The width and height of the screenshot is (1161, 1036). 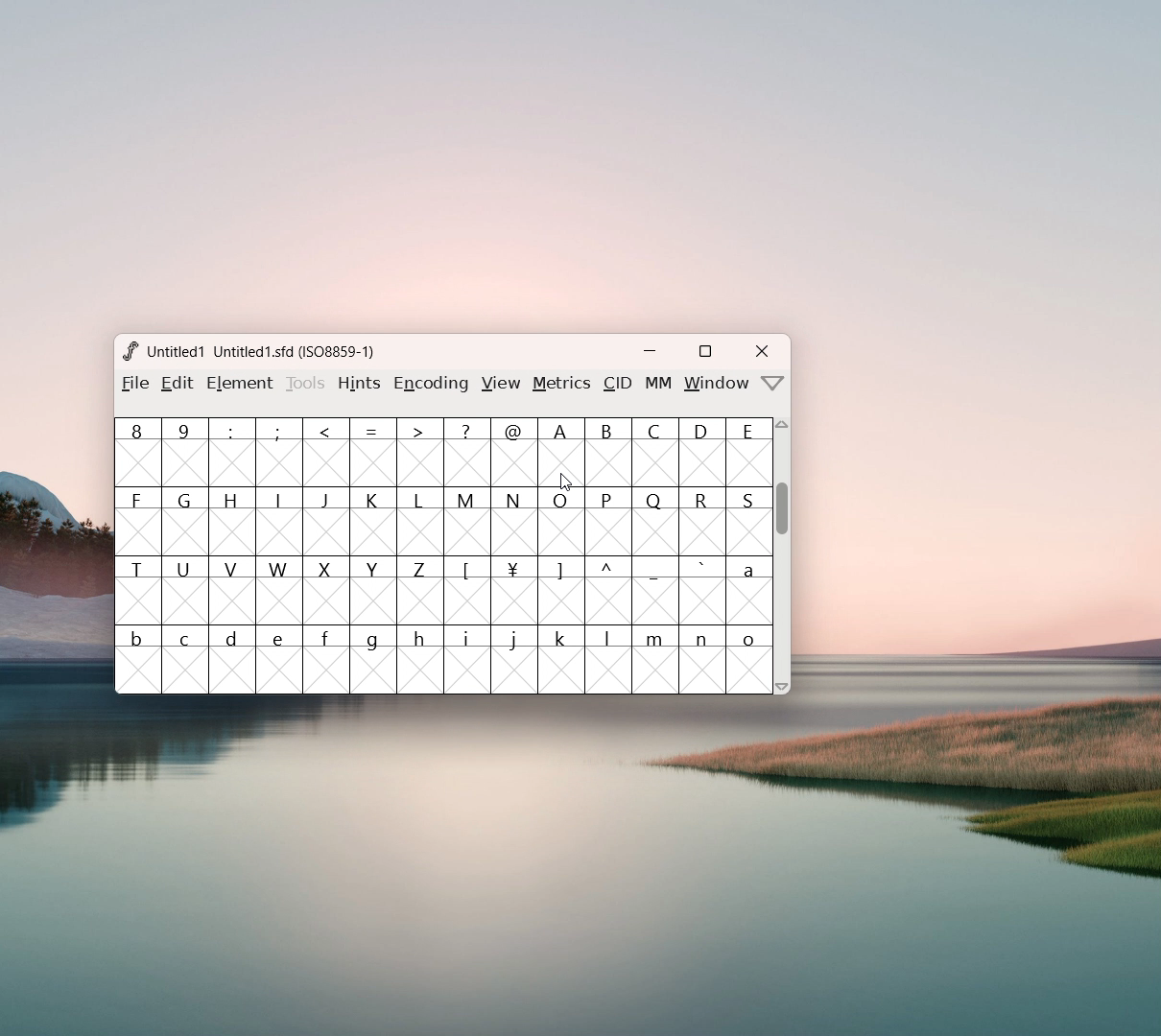 What do you see at coordinates (468, 661) in the screenshot?
I see `i` at bounding box center [468, 661].